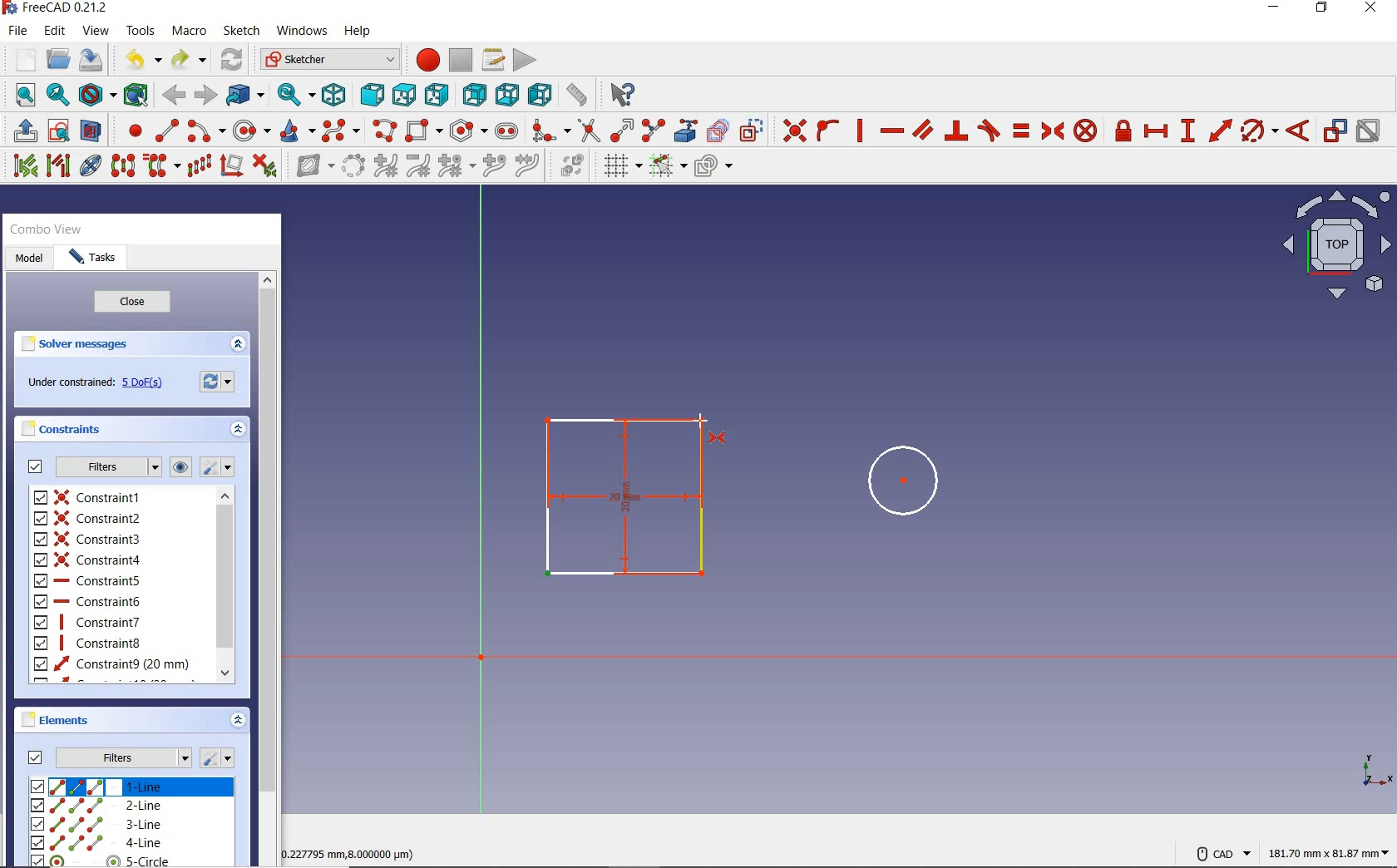 This screenshot has width=1397, height=868. I want to click on constraint coincident, so click(792, 129).